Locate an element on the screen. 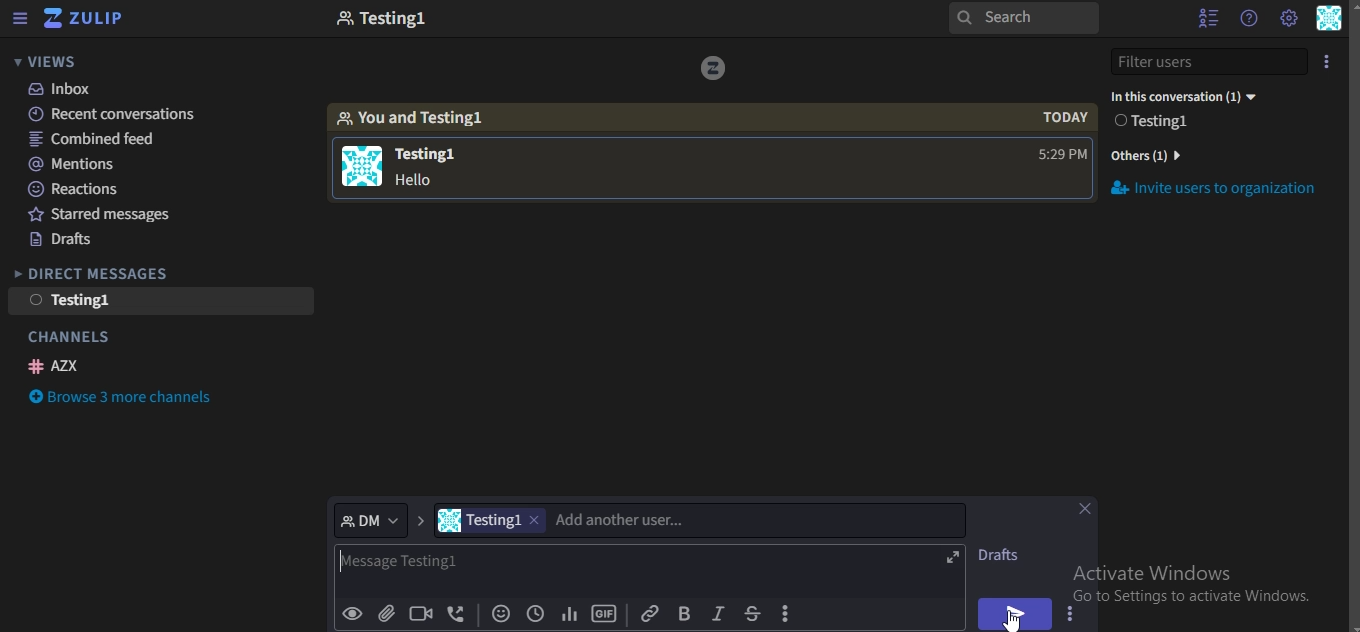 The height and width of the screenshot is (632, 1360). expand is located at coordinates (953, 558).